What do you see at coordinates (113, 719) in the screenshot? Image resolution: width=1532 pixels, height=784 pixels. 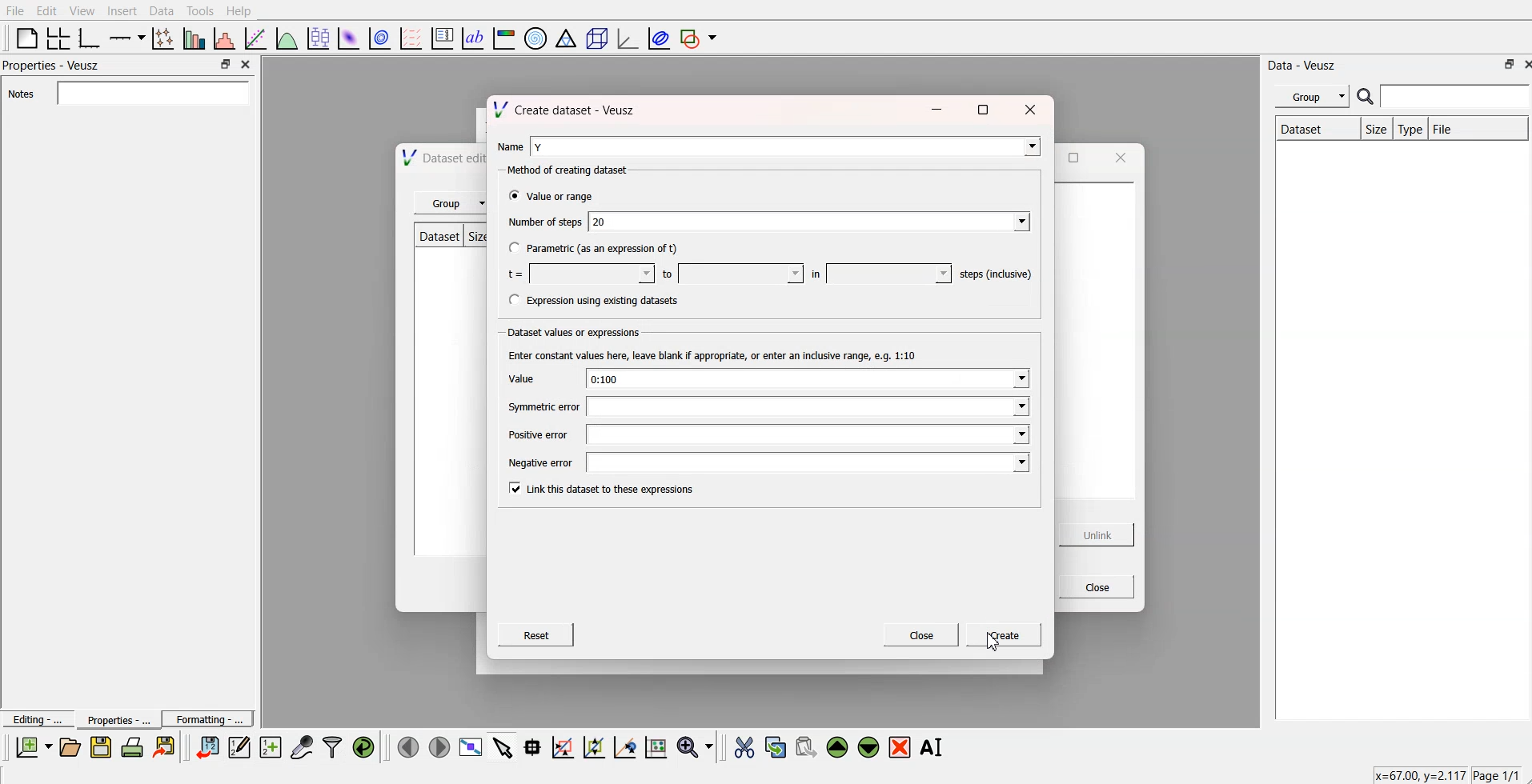 I see `Properties` at bounding box center [113, 719].